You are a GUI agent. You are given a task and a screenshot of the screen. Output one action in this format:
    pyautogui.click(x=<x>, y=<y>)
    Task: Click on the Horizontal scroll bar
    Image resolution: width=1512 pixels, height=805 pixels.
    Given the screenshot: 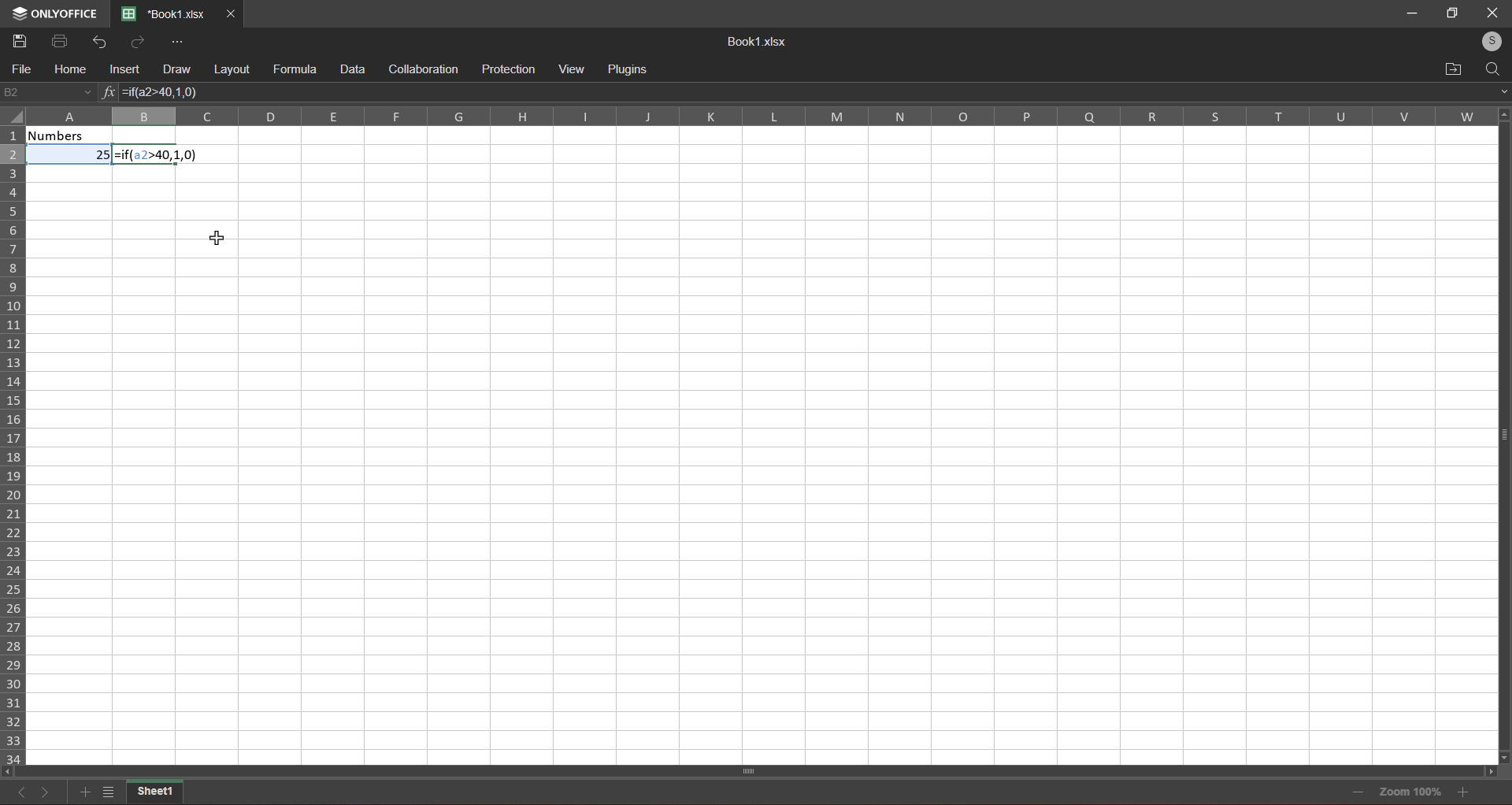 What is the action you would take?
    pyautogui.click(x=750, y=770)
    